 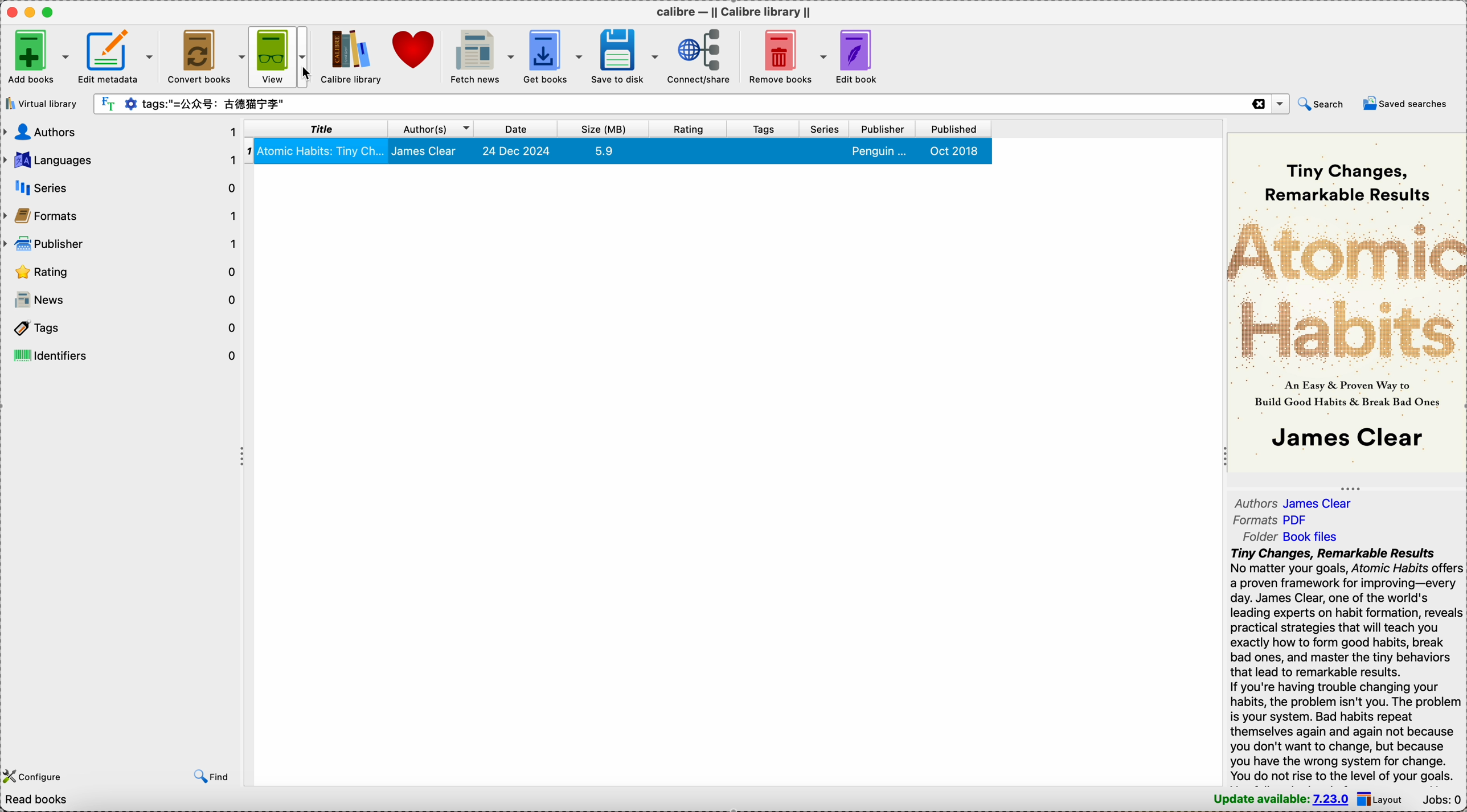 I want to click on close Calibre, so click(x=9, y=11).